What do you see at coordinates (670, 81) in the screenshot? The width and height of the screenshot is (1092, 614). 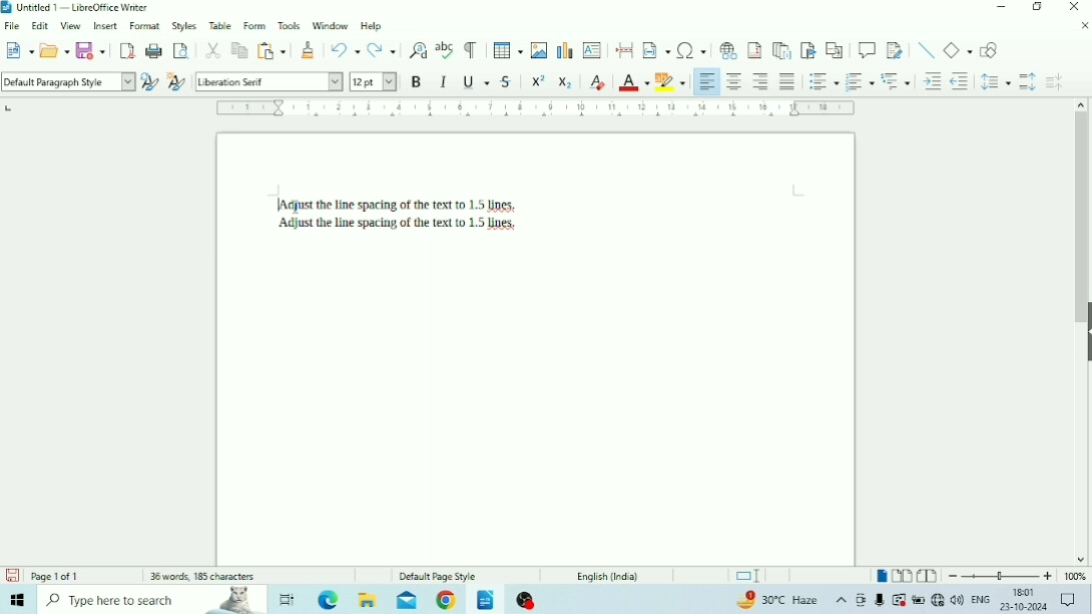 I see `Character Highlighting Color` at bounding box center [670, 81].